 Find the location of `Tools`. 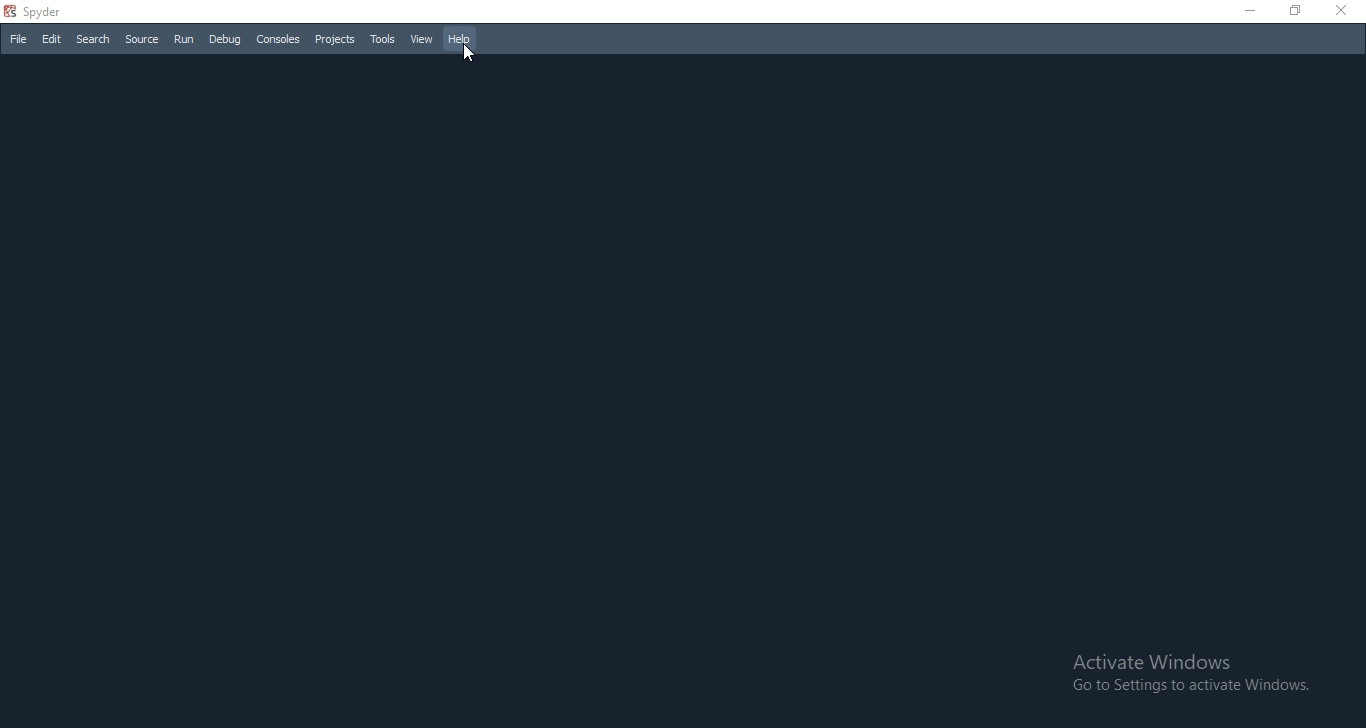

Tools is located at coordinates (384, 40).